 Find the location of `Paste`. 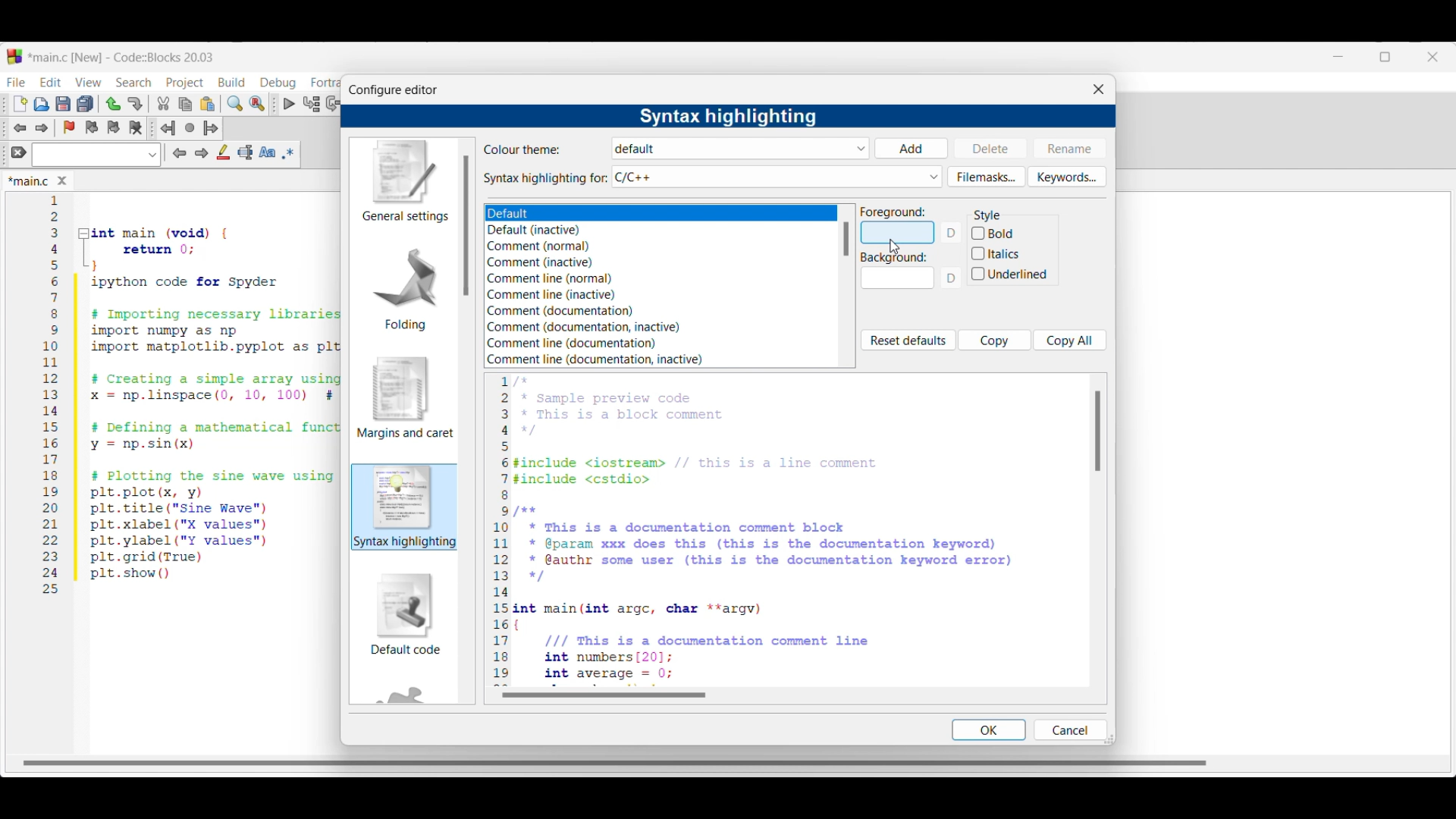

Paste is located at coordinates (208, 104).